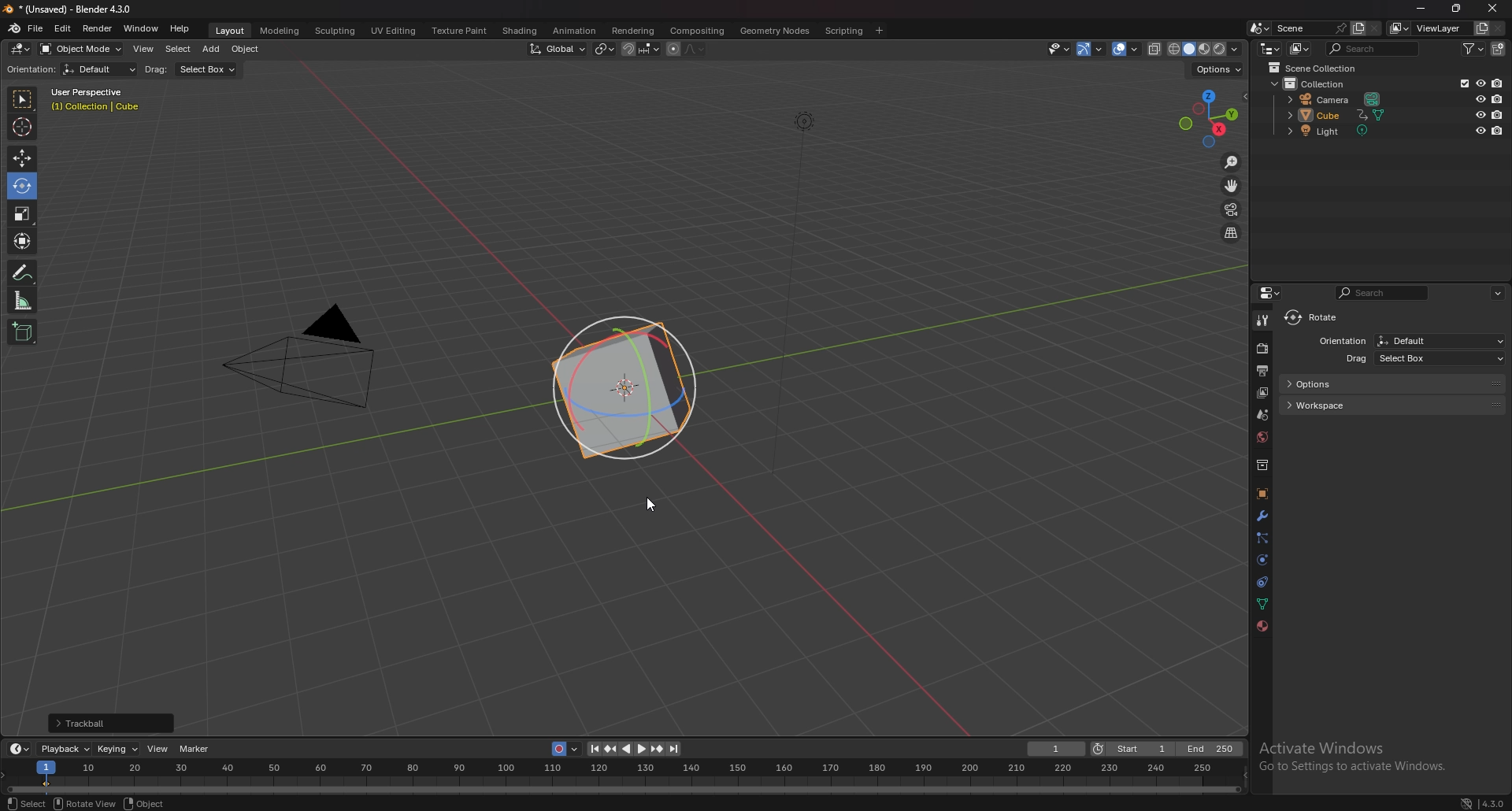 This screenshot has width=1512, height=811. Describe the element at coordinates (110, 723) in the screenshot. I see `trackball` at that location.